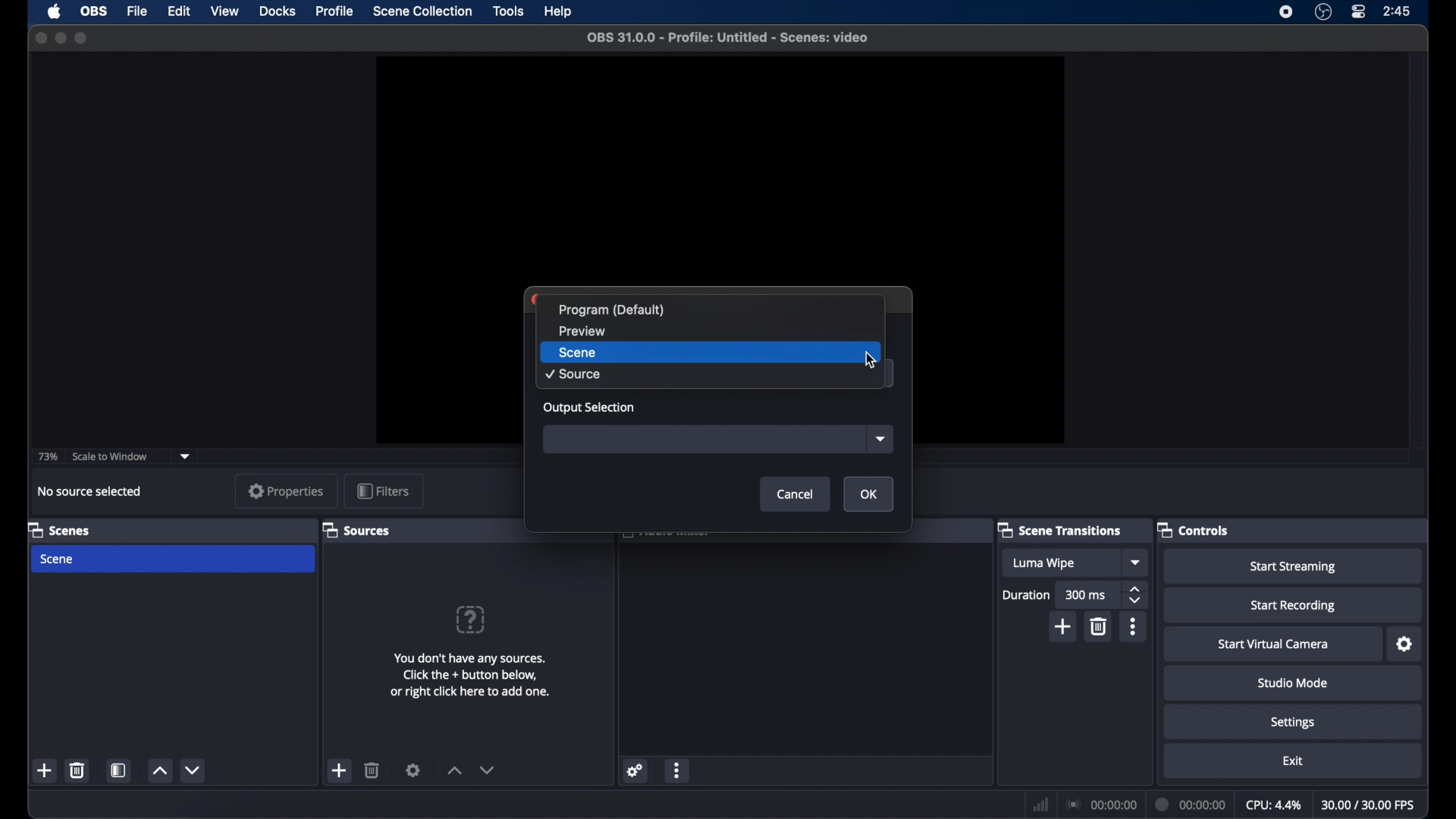 This screenshot has height=819, width=1456. What do you see at coordinates (1088, 595) in the screenshot?
I see `300 ms` at bounding box center [1088, 595].